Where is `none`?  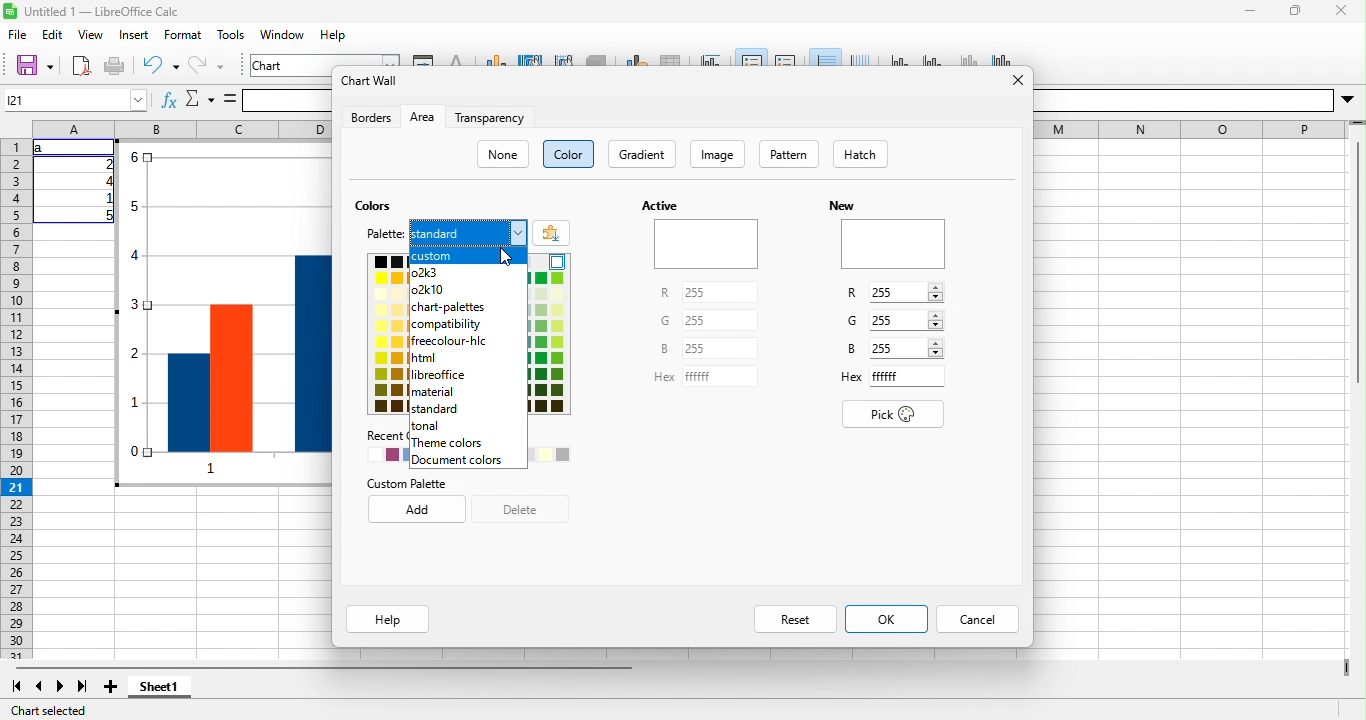
none is located at coordinates (502, 154).